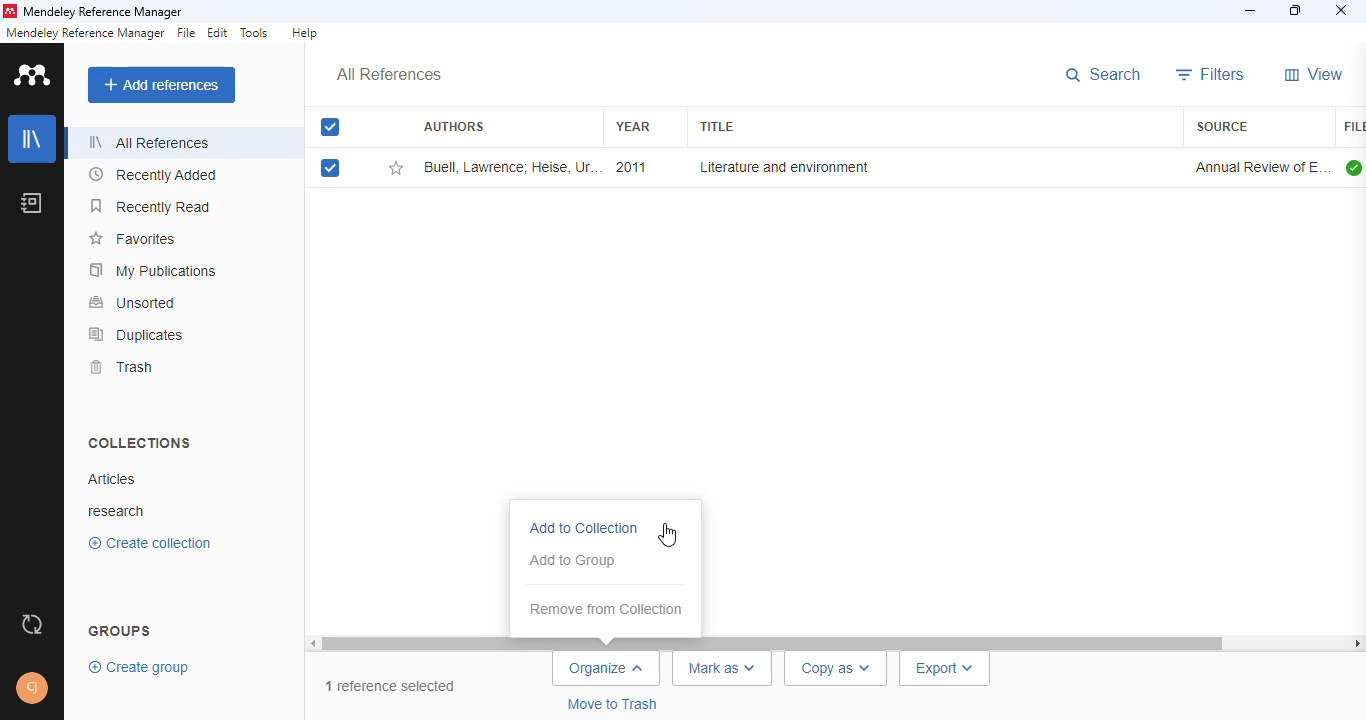  What do you see at coordinates (607, 669) in the screenshot?
I see `organize` at bounding box center [607, 669].